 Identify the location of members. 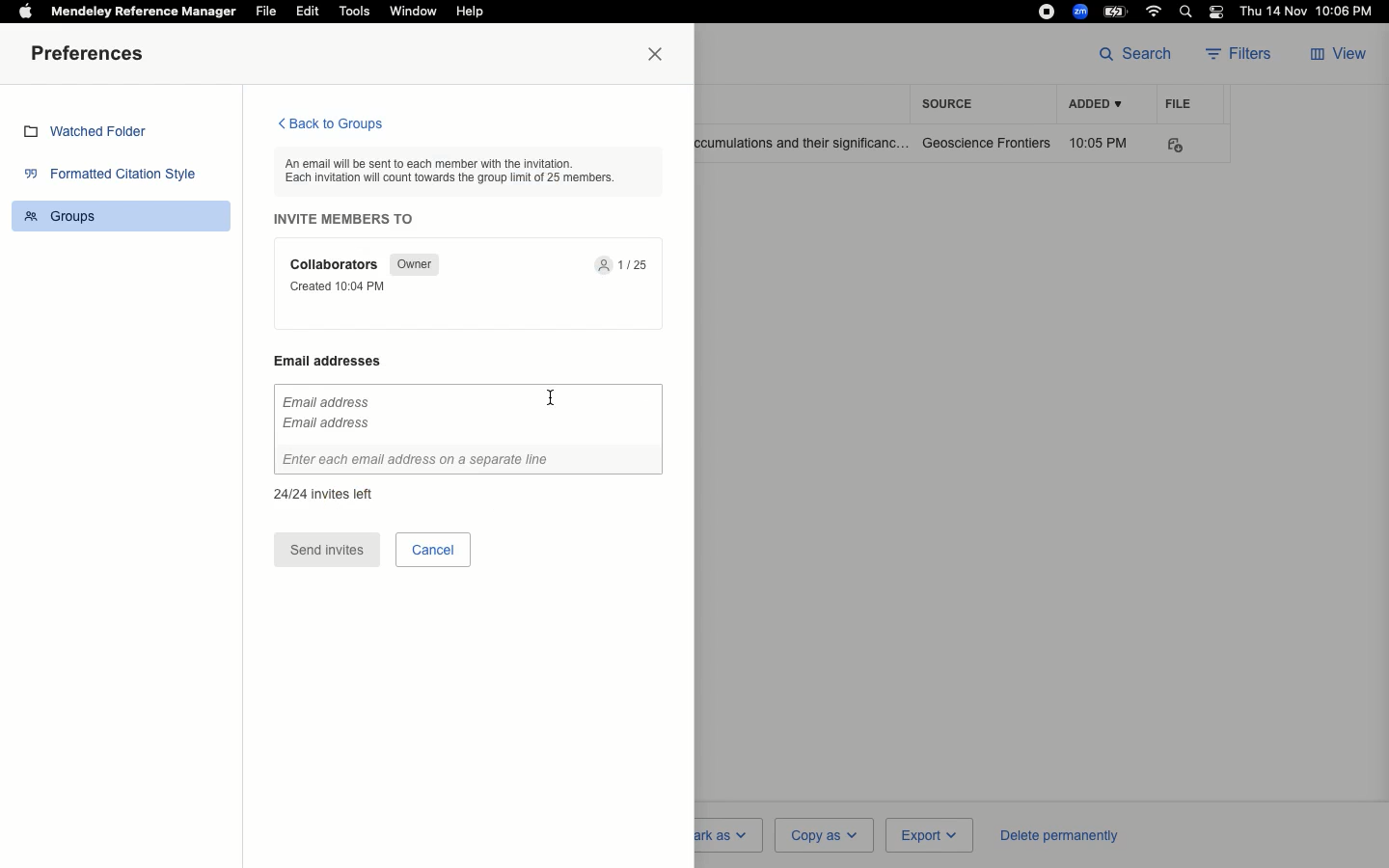
(626, 266).